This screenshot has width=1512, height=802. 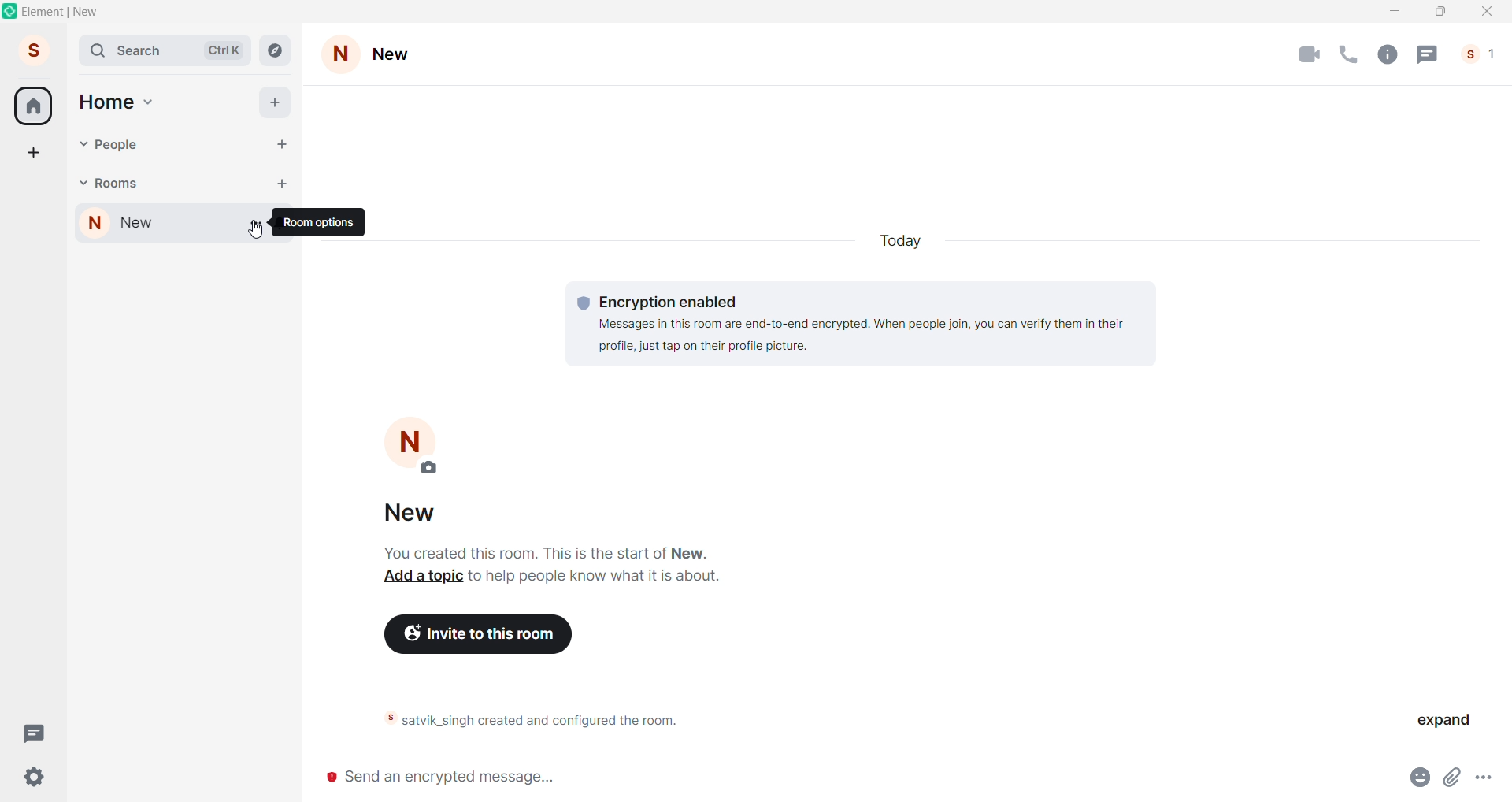 What do you see at coordinates (274, 50) in the screenshot?
I see `Explore Rooms` at bounding box center [274, 50].